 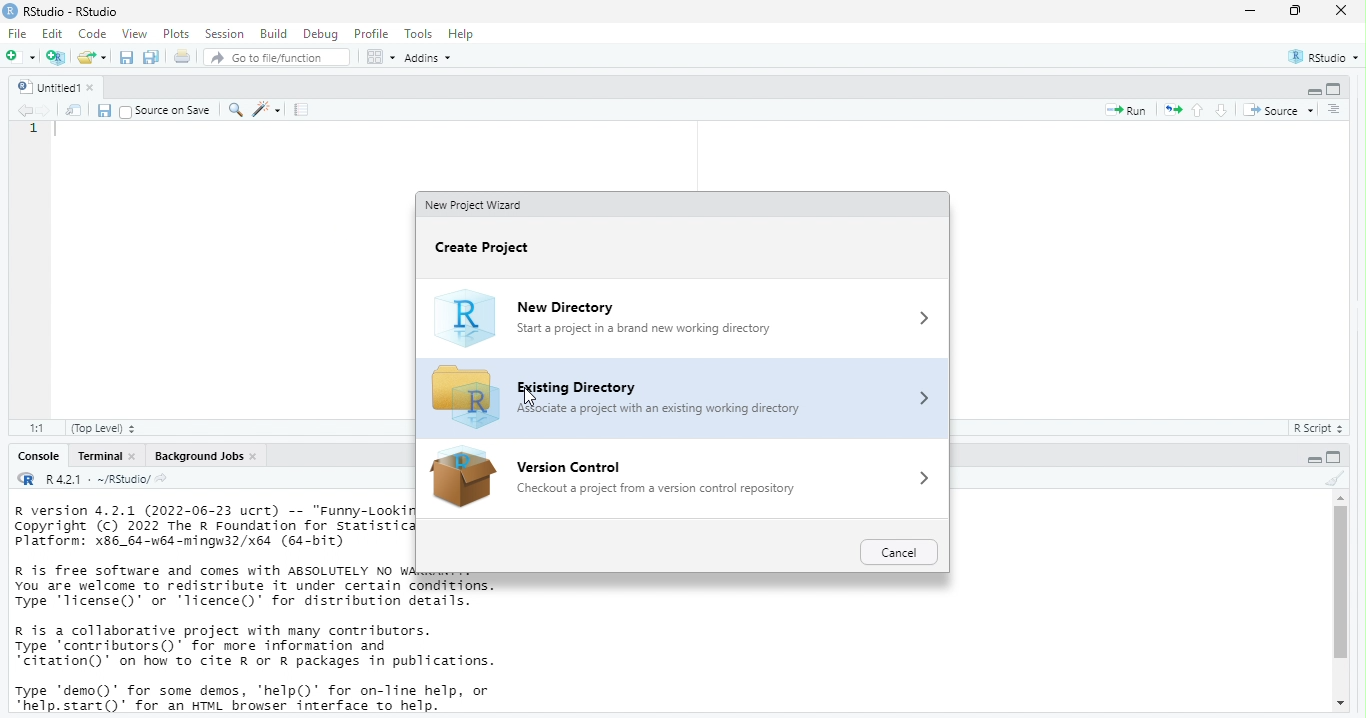 What do you see at coordinates (233, 109) in the screenshot?
I see `find/replace` at bounding box center [233, 109].